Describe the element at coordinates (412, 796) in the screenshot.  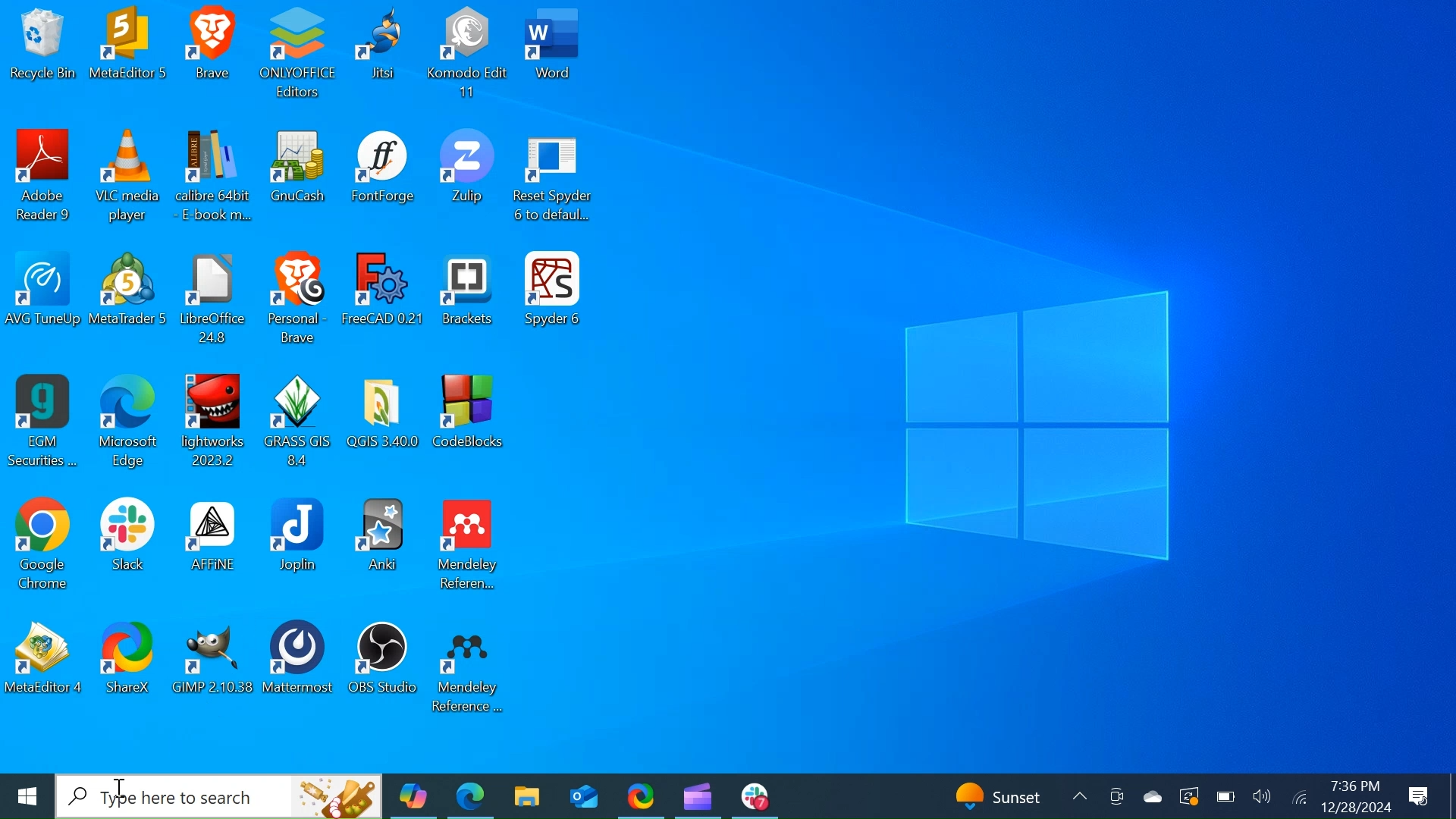
I see `Copilot` at that location.